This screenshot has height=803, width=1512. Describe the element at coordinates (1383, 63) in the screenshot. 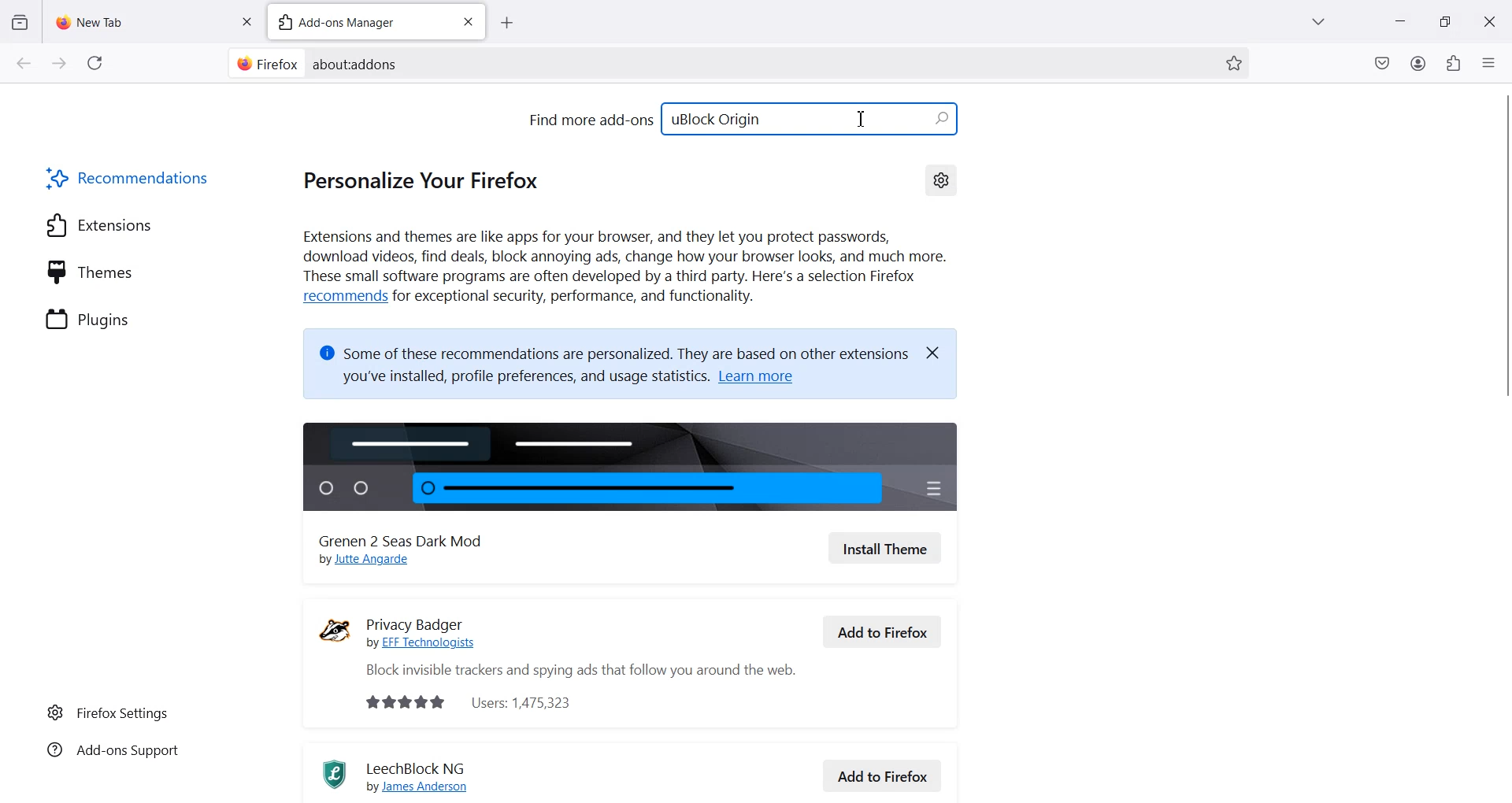

I see `Save to pocket` at that location.